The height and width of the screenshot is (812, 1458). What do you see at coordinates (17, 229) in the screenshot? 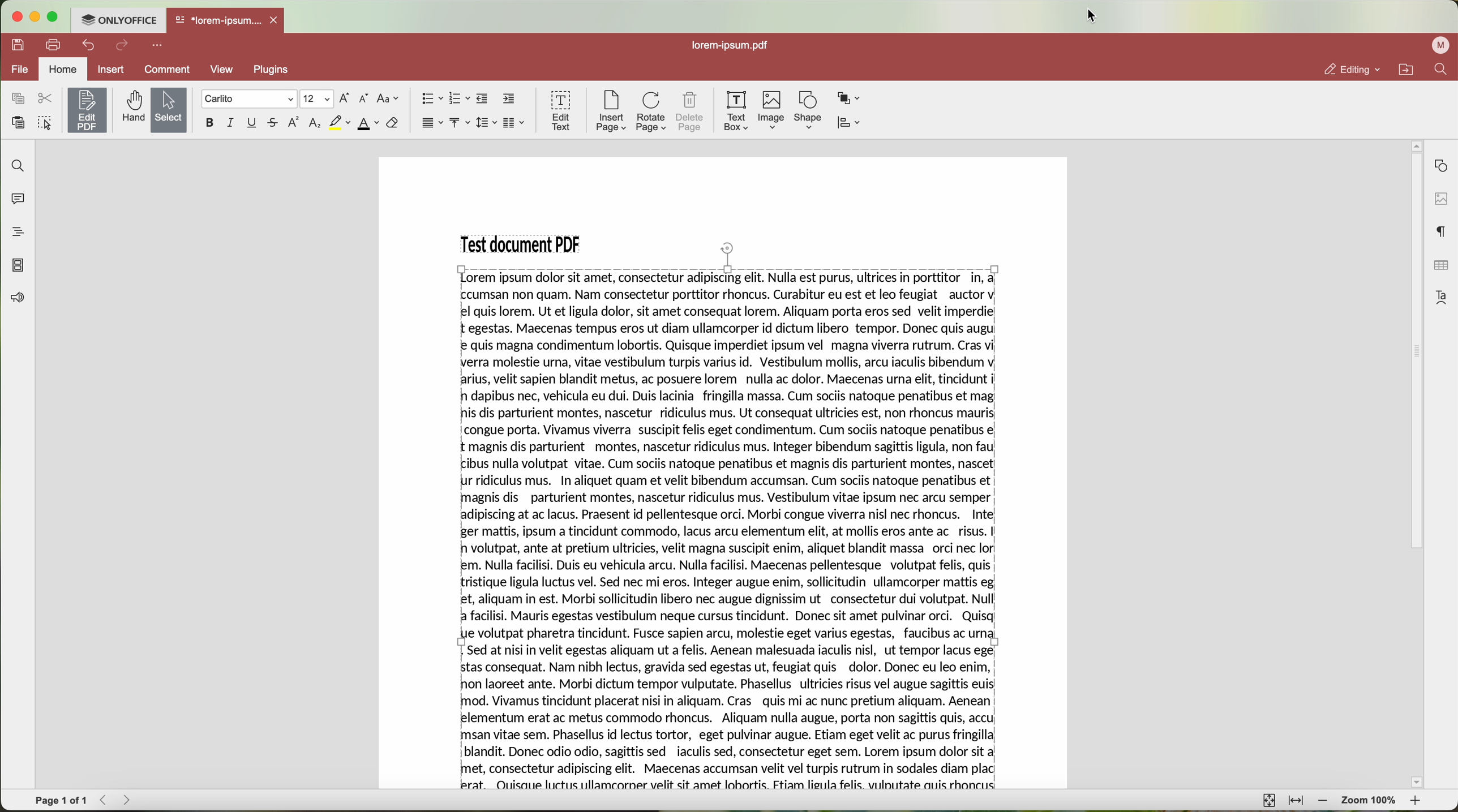
I see `heading` at bounding box center [17, 229].